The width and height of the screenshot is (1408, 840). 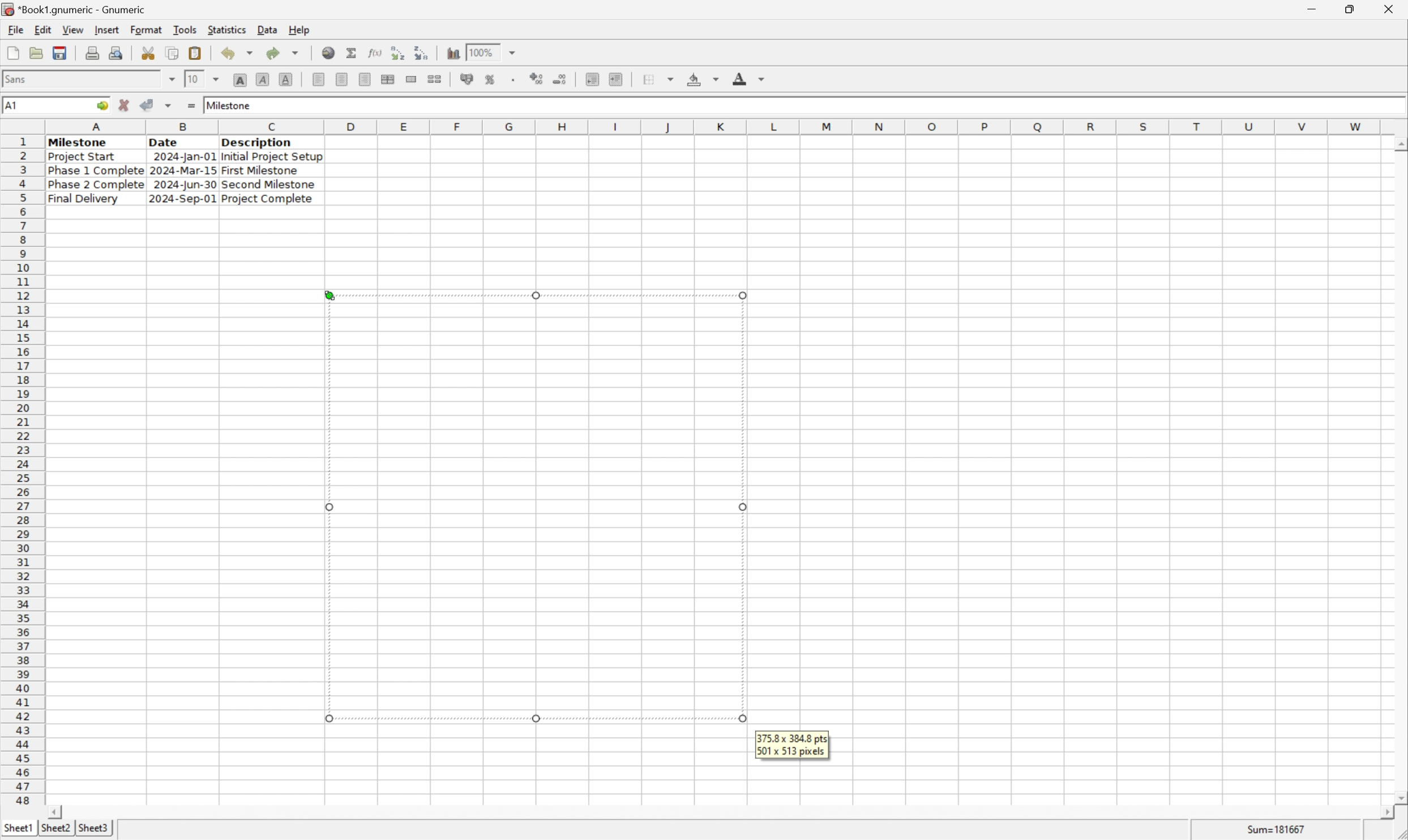 What do you see at coordinates (267, 27) in the screenshot?
I see `data` at bounding box center [267, 27].